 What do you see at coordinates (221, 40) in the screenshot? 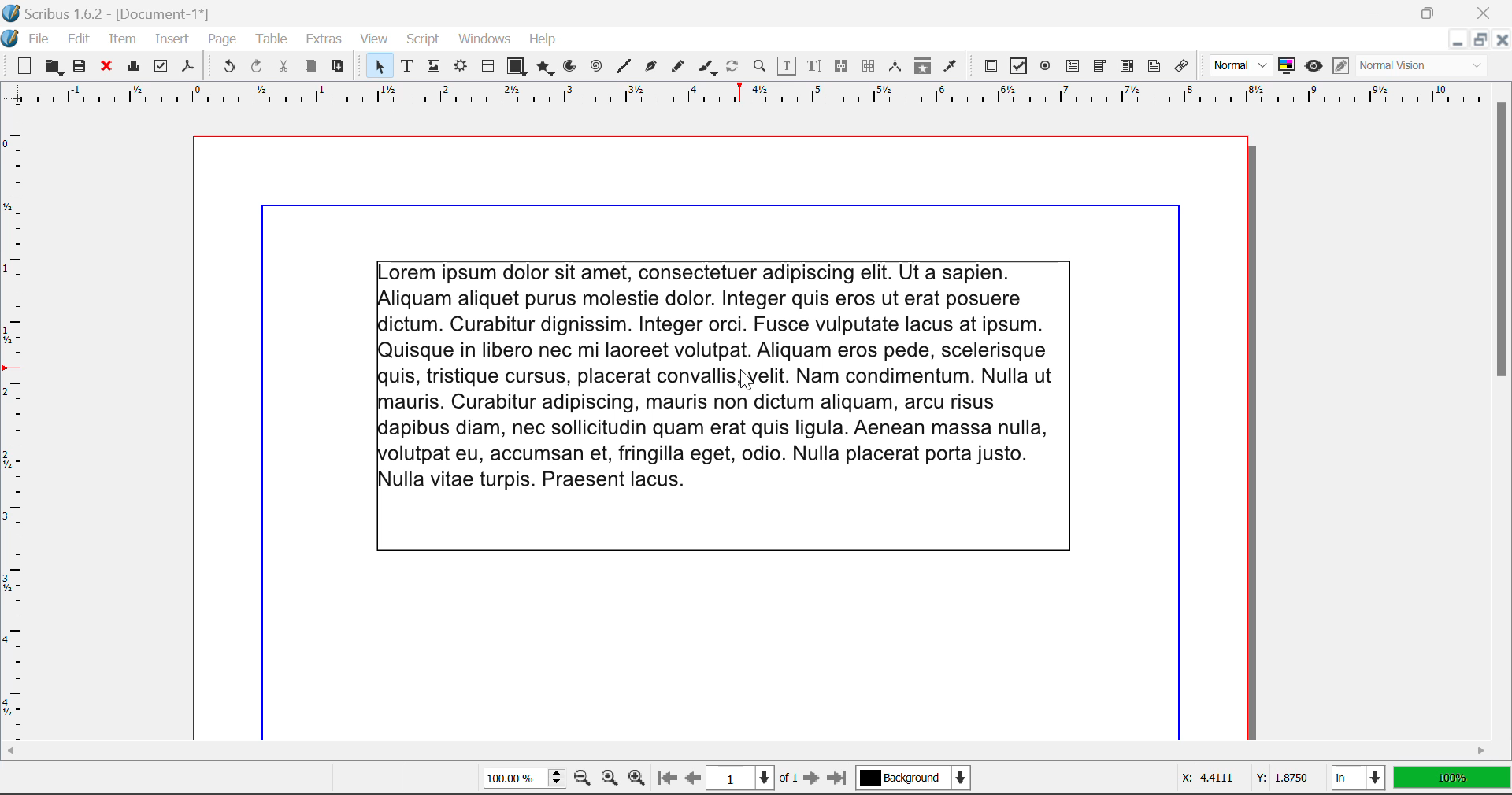
I see `Page` at bounding box center [221, 40].